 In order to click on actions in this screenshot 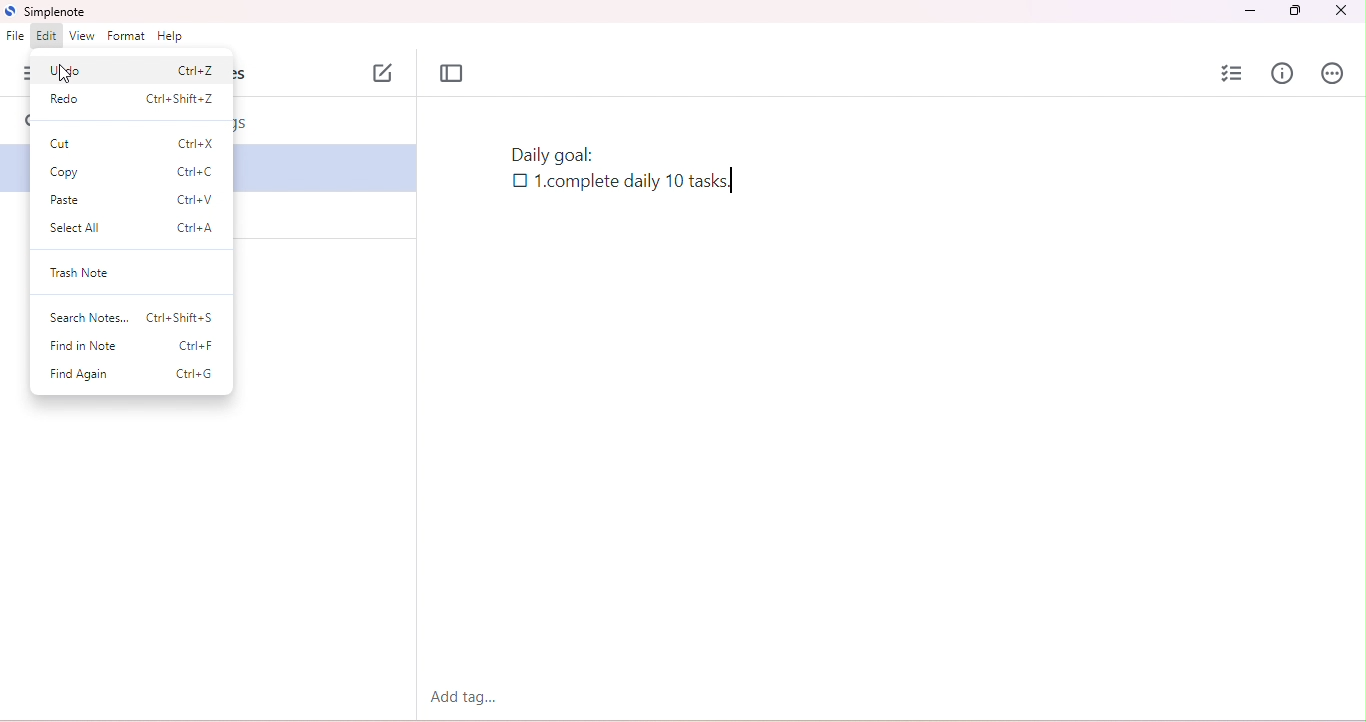, I will do `click(1334, 73)`.